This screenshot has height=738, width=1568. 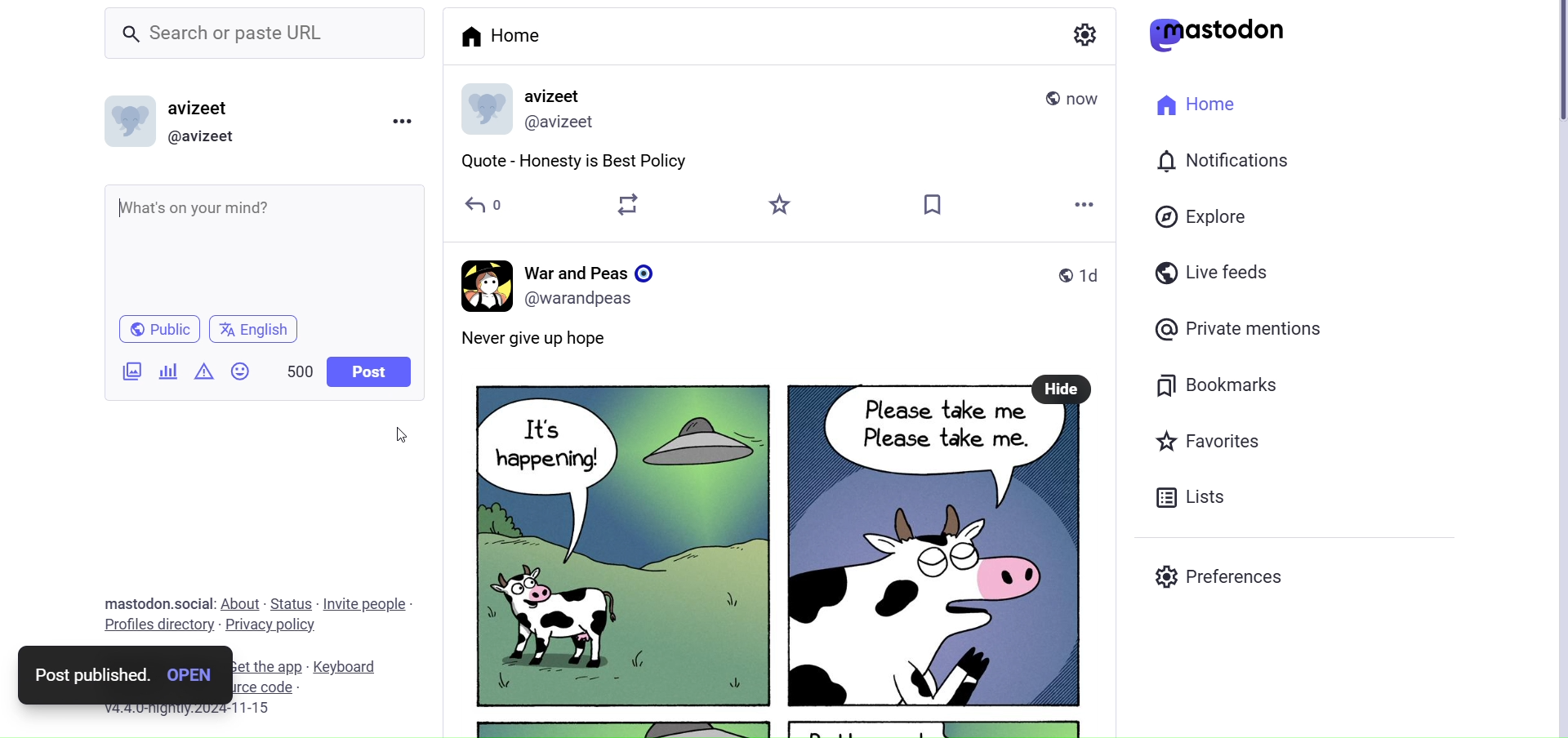 What do you see at coordinates (591, 269) in the screenshot?
I see `War and Peas` at bounding box center [591, 269].